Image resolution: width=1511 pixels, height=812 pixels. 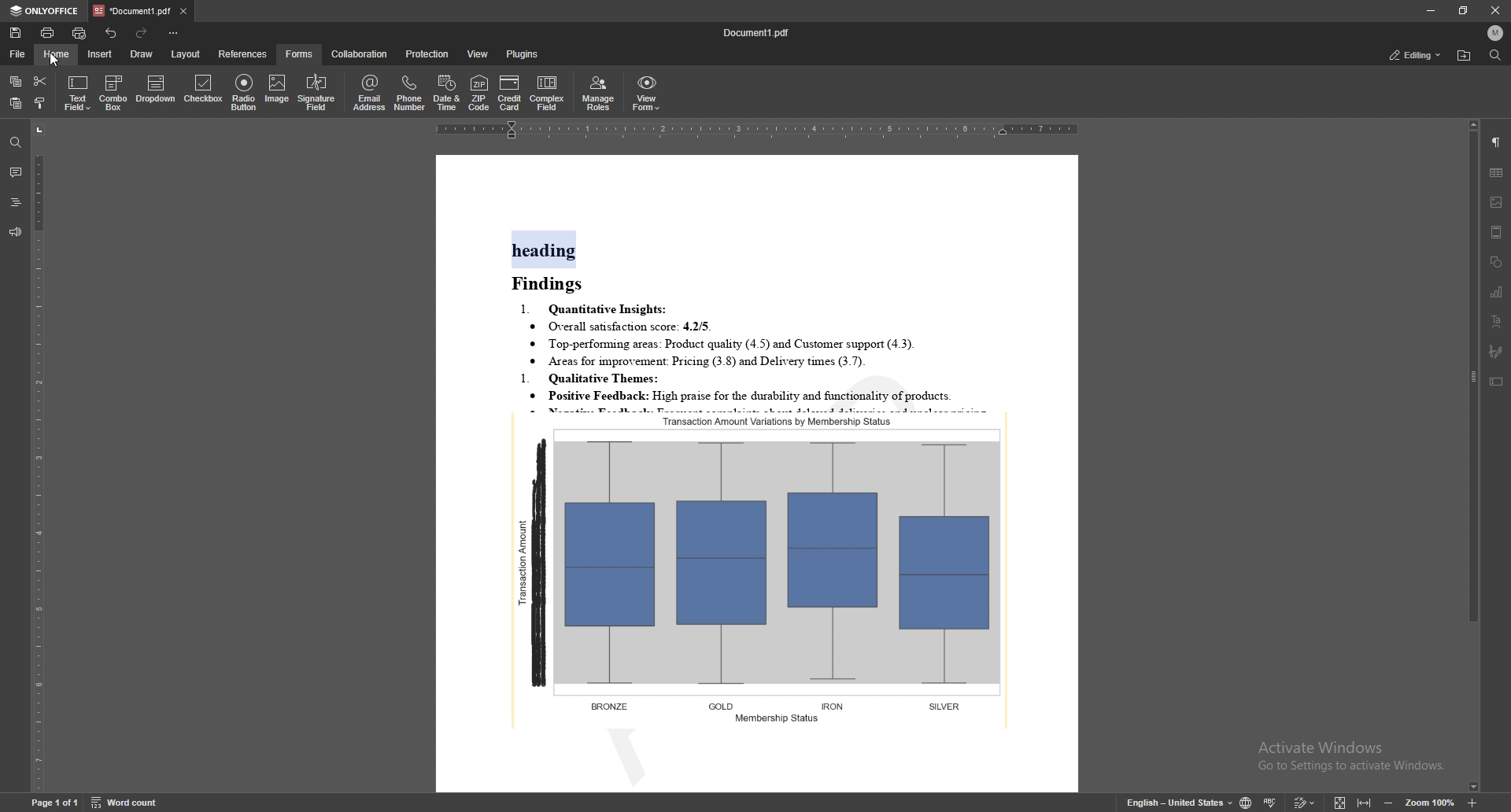 What do you see at coordinates (767, 397) in the screenshot?
I see `* Positive Feedback: High praise for the durability and functionality of products.` at bounding box center [767, 397].